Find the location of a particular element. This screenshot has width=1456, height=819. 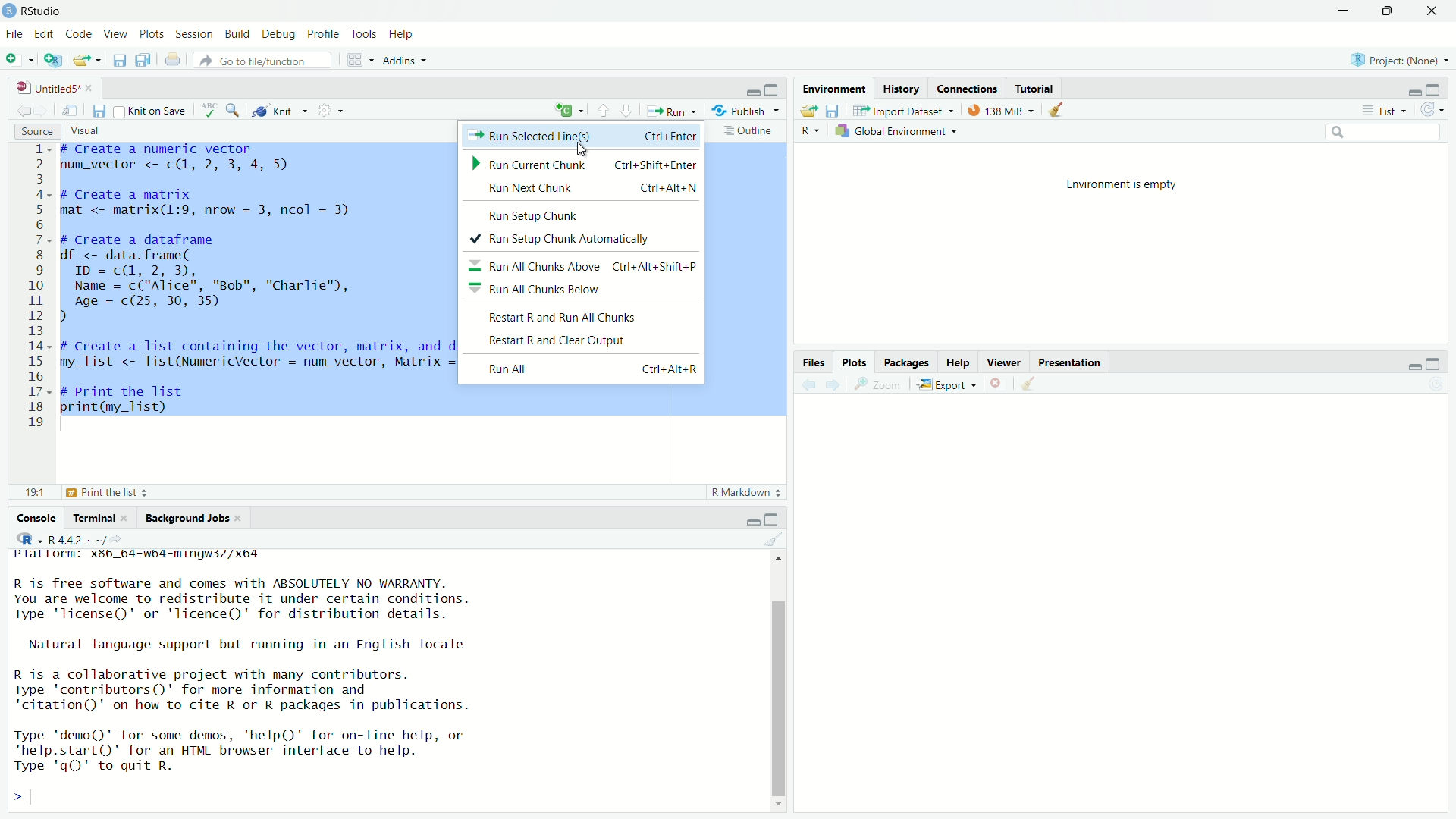

Help is located at coordinates (403, 35).